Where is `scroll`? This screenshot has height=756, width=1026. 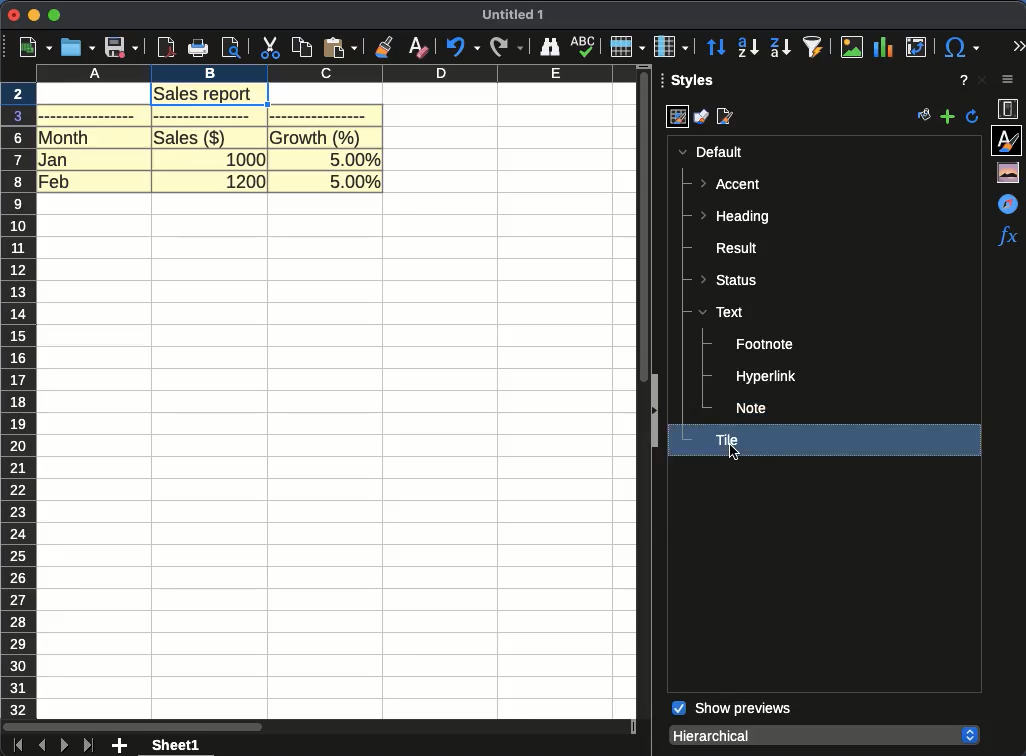 scroll is located at coordinates (318, 728).